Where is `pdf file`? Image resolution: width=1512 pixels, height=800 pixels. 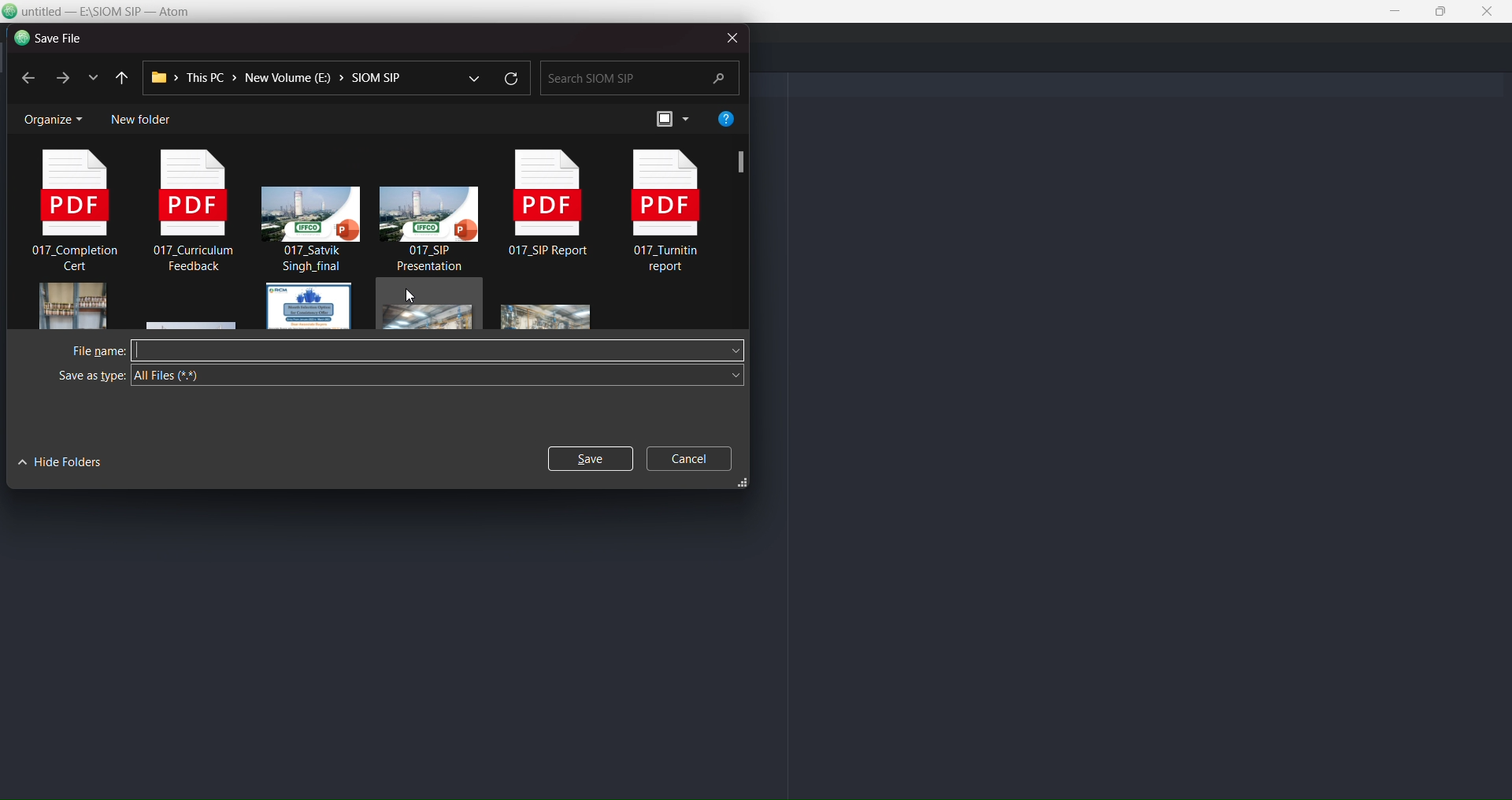
pdf file is located at coordinates (667, 212).